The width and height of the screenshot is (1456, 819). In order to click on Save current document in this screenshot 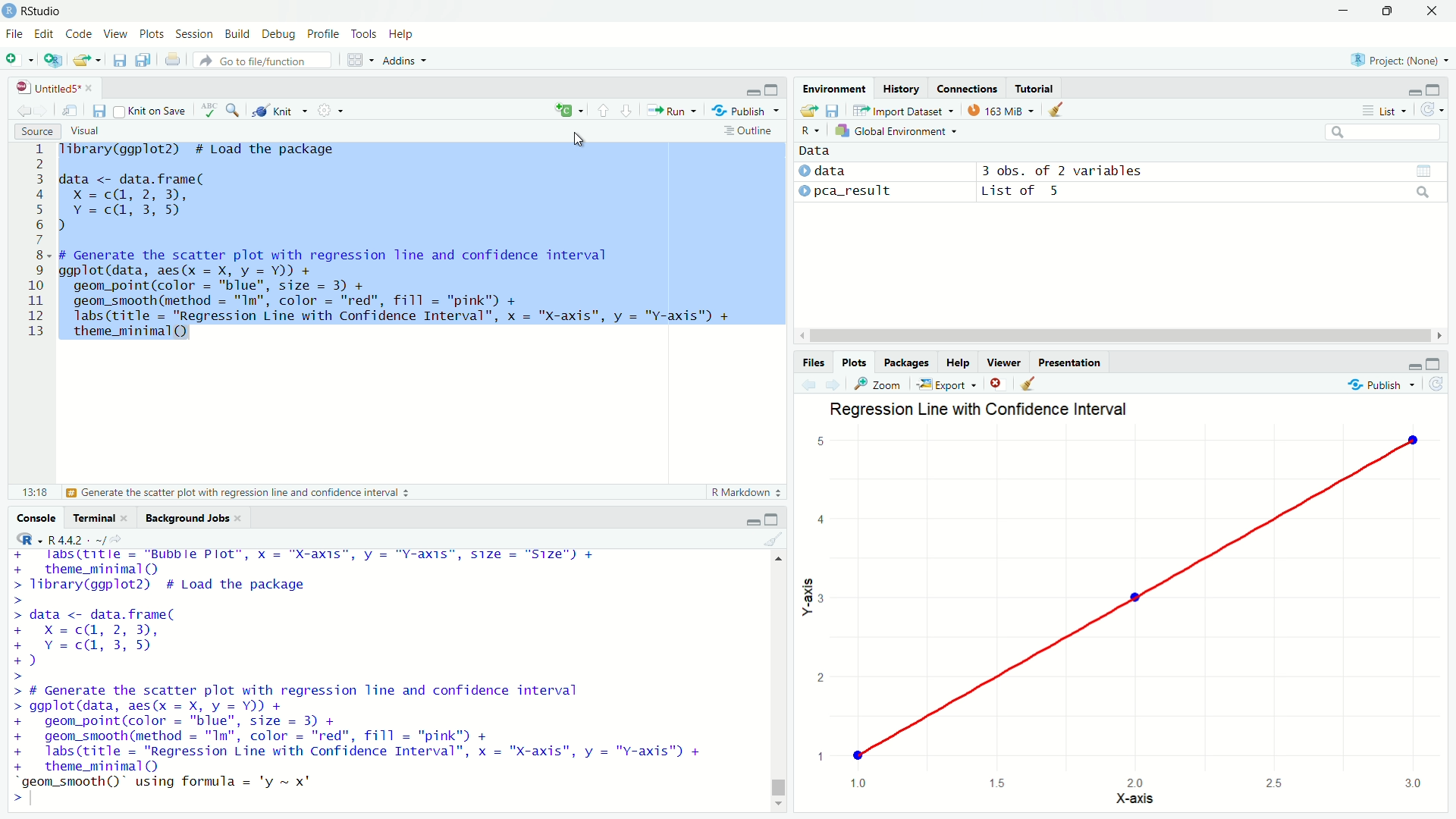, I will do `click(99, 110)`.